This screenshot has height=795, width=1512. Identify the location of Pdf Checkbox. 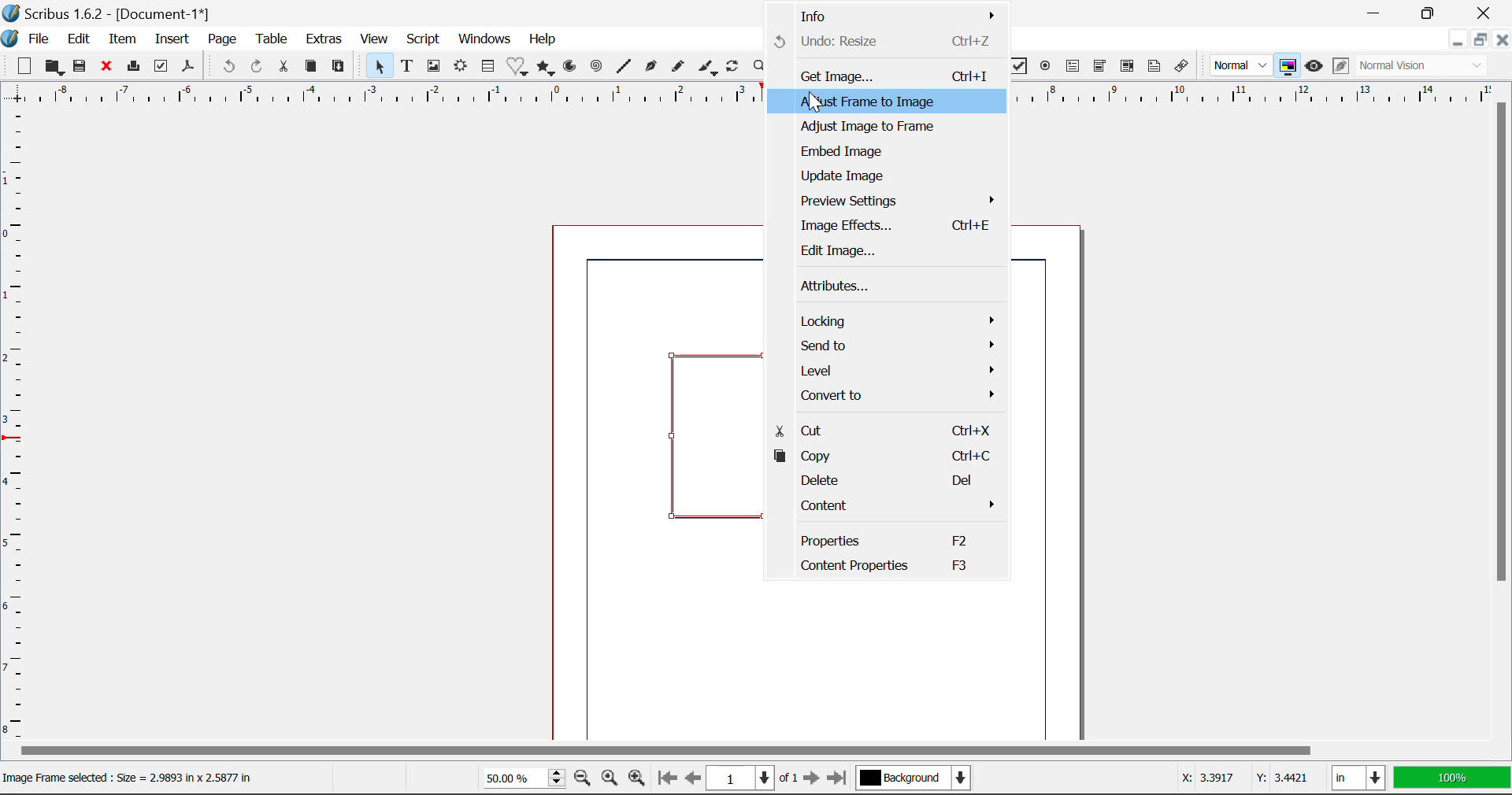
(1016, 68).